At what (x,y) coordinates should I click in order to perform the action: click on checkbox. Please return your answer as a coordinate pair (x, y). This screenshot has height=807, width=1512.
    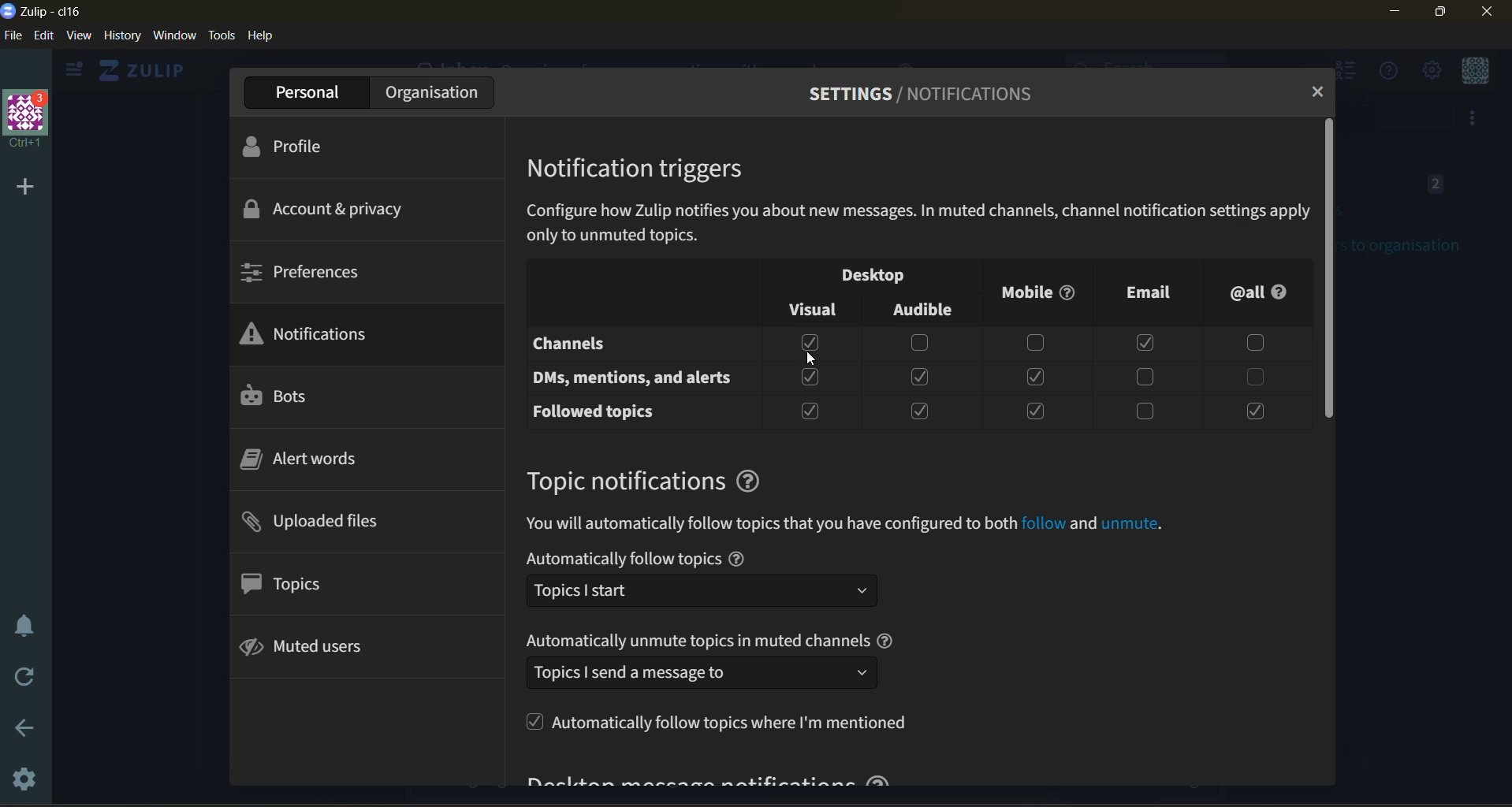
    Looking at the image, I should click on (1250, 377).